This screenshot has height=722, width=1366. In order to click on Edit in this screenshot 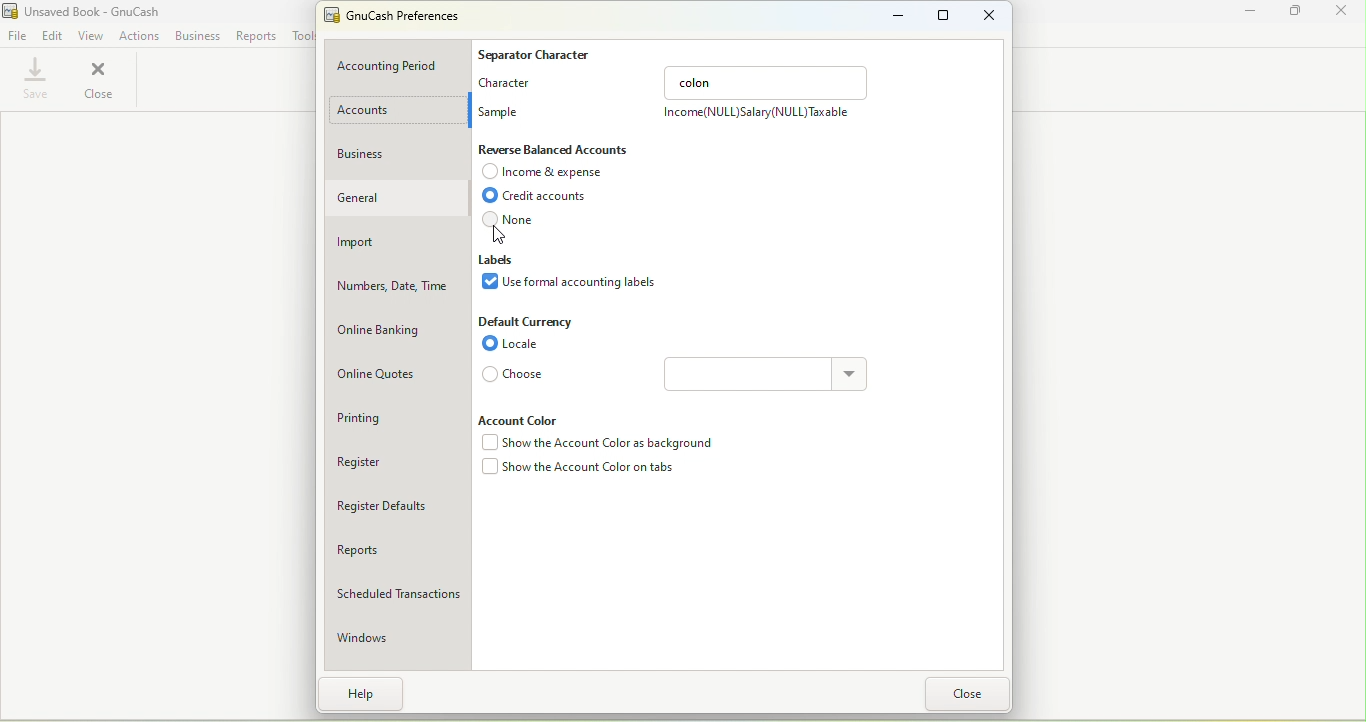, I will do `click(53, 33)`.